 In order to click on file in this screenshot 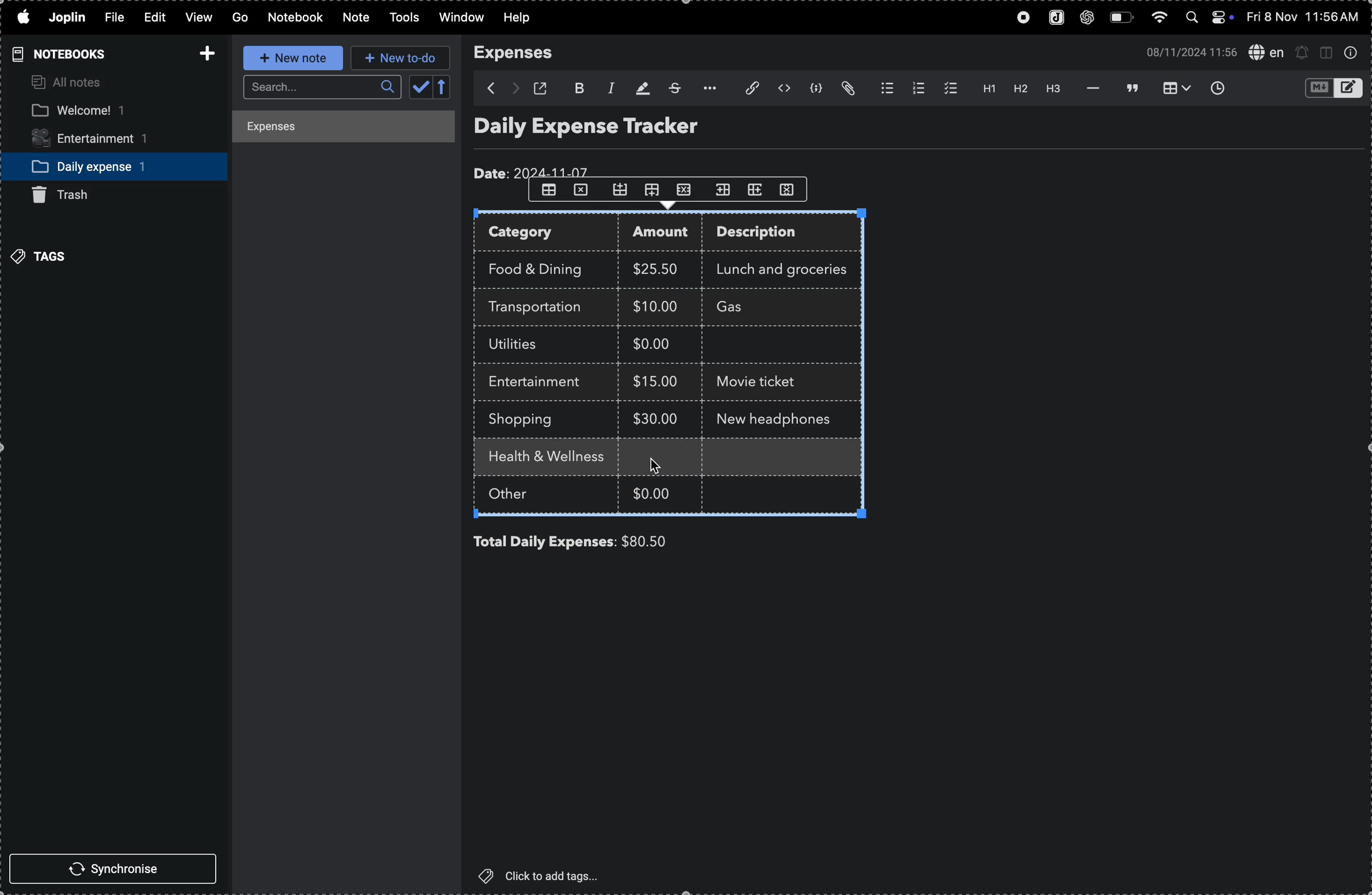, I will do `click(112, 18)`.